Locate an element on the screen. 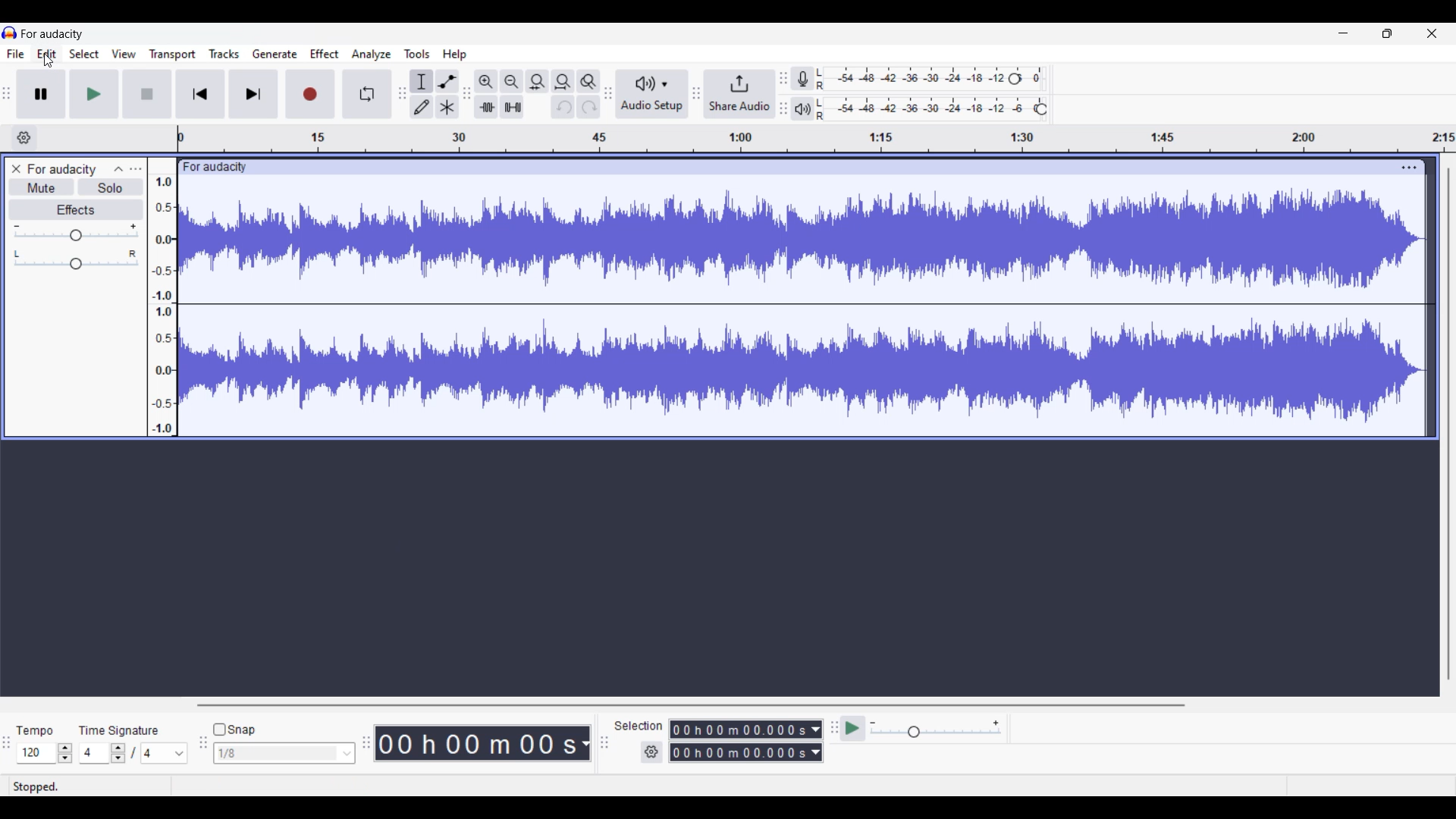 The width and height of the screenshot is (1456, 819). Open menu is located at coordinates (136, 169).